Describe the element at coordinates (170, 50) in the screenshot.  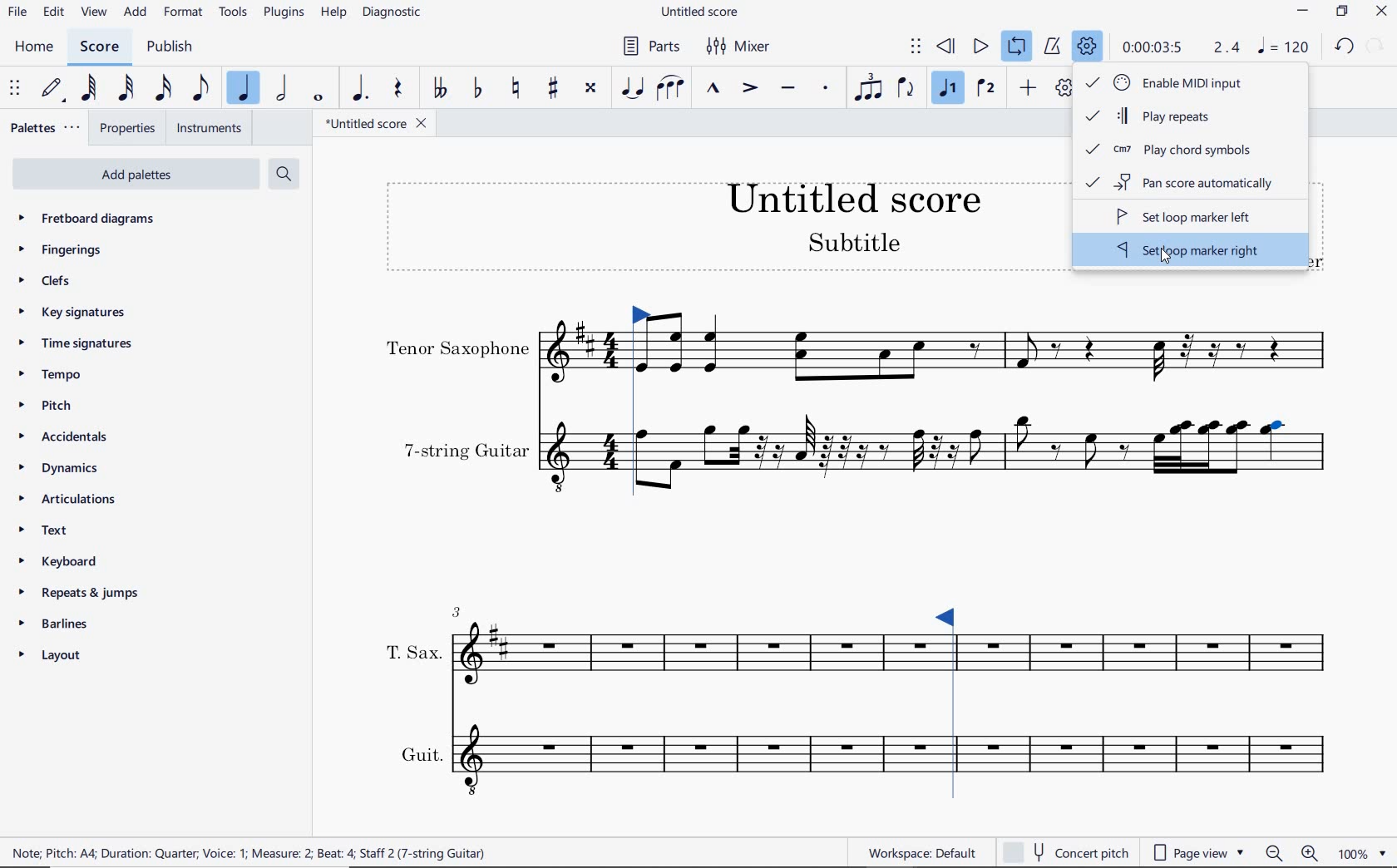
I see `PUBLISH` at that location.